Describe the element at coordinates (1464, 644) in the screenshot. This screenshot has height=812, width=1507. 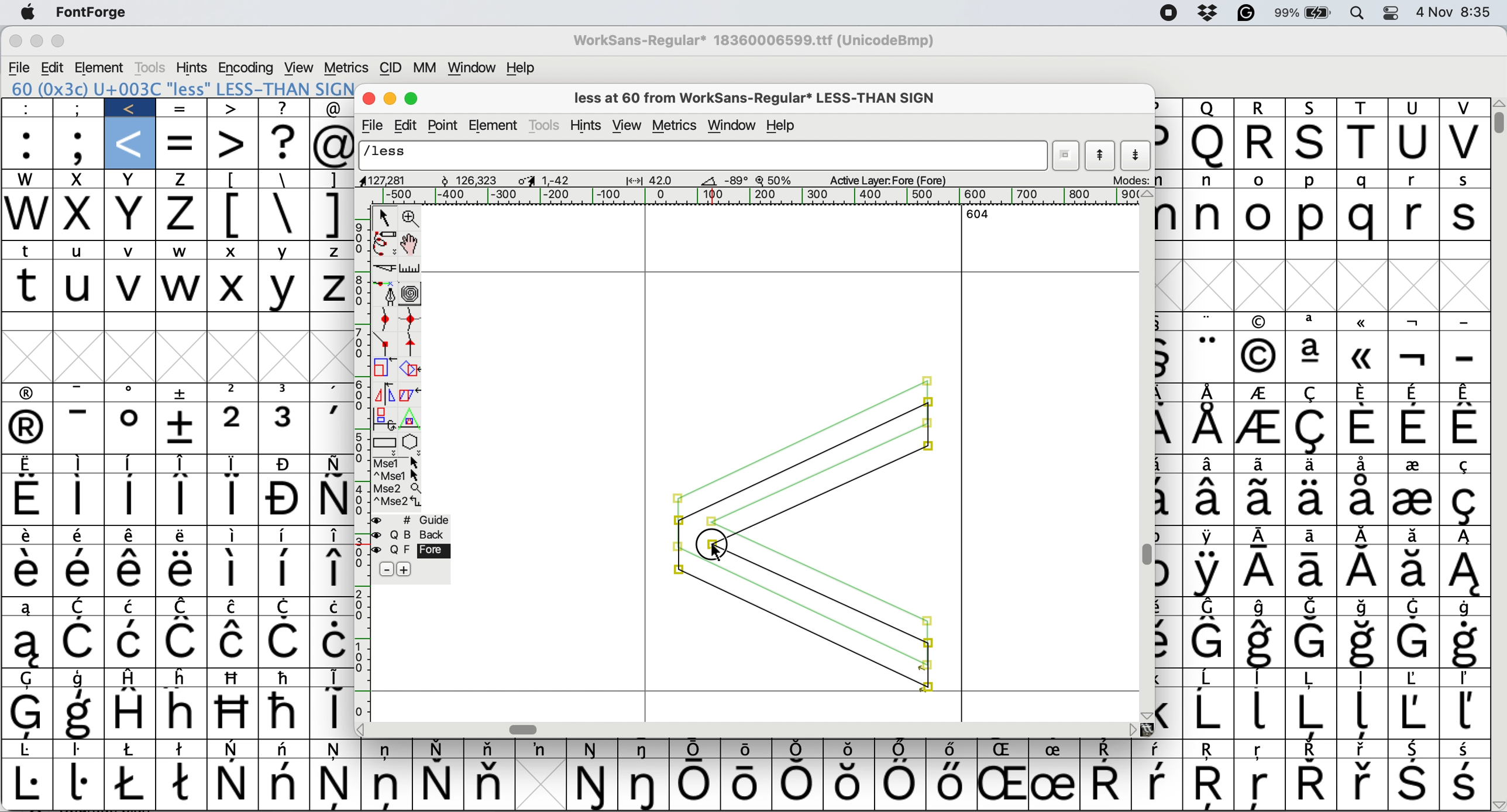
I see `Symbol` at that location.